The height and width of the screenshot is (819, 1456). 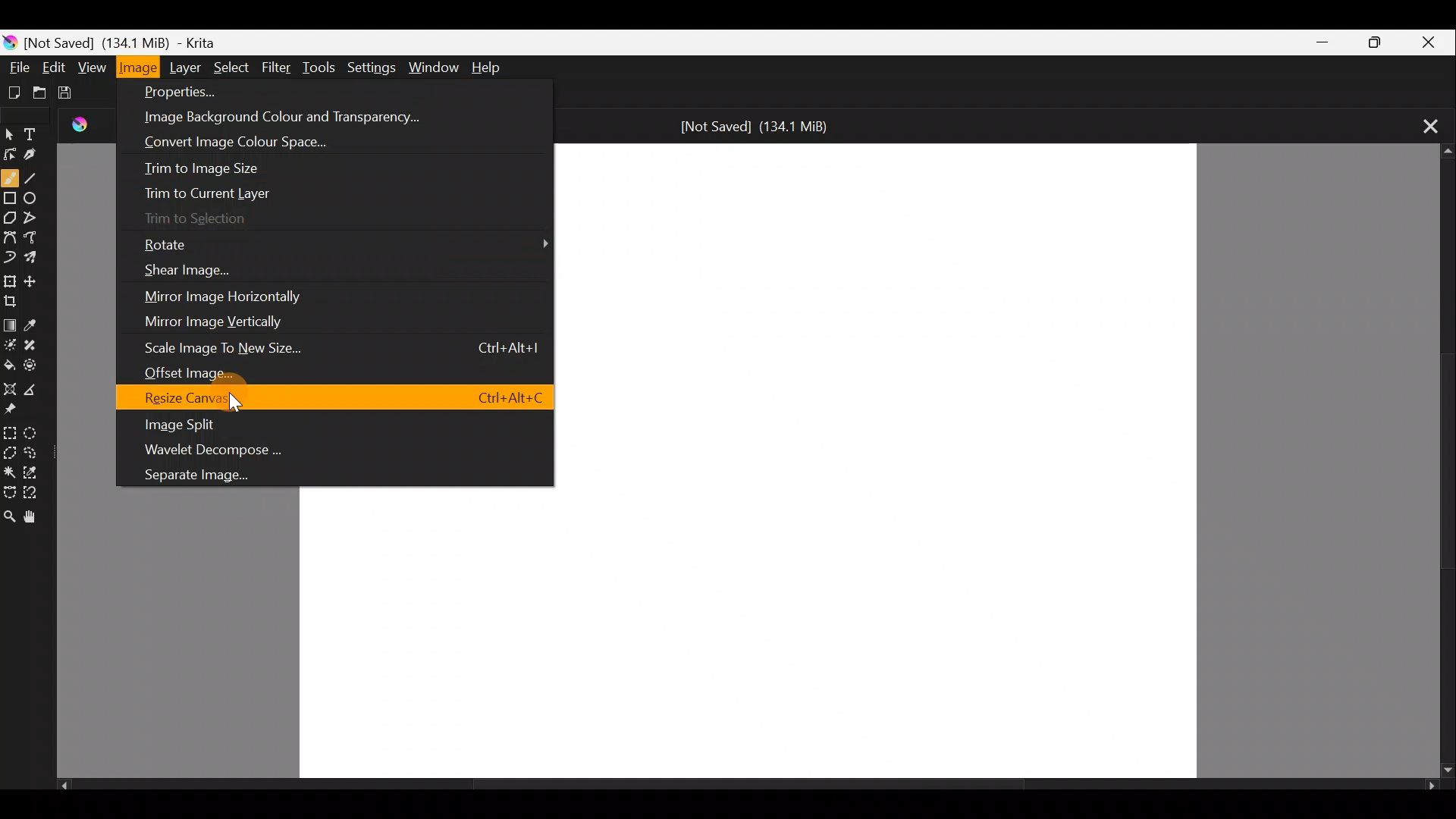 I want to click on Crop the image to an area, so click(x=17, y=301).